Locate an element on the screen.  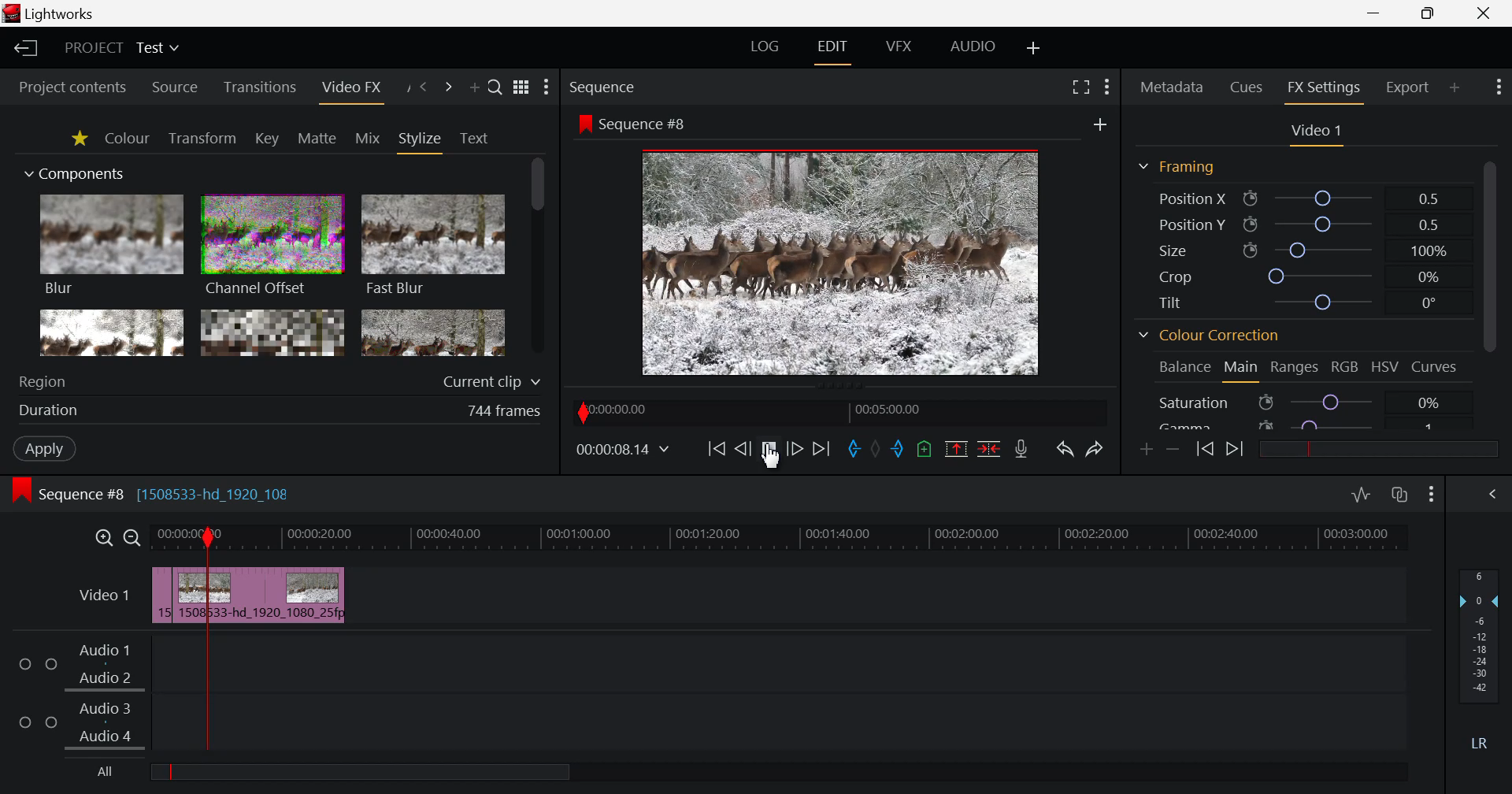
Balance is located at coordinates (1183, 369).